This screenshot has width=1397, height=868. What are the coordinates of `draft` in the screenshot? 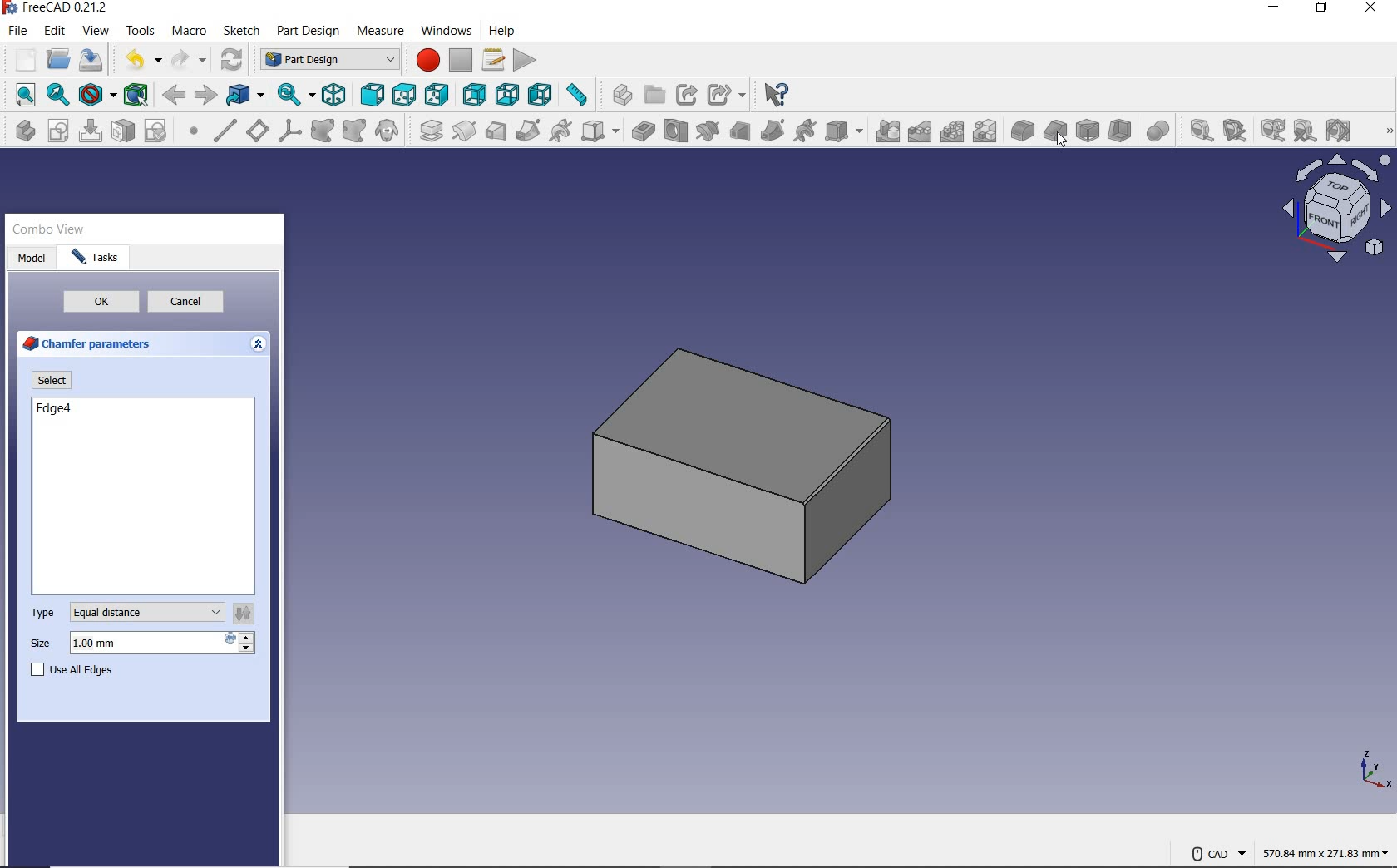 It's located at (1088, 131).